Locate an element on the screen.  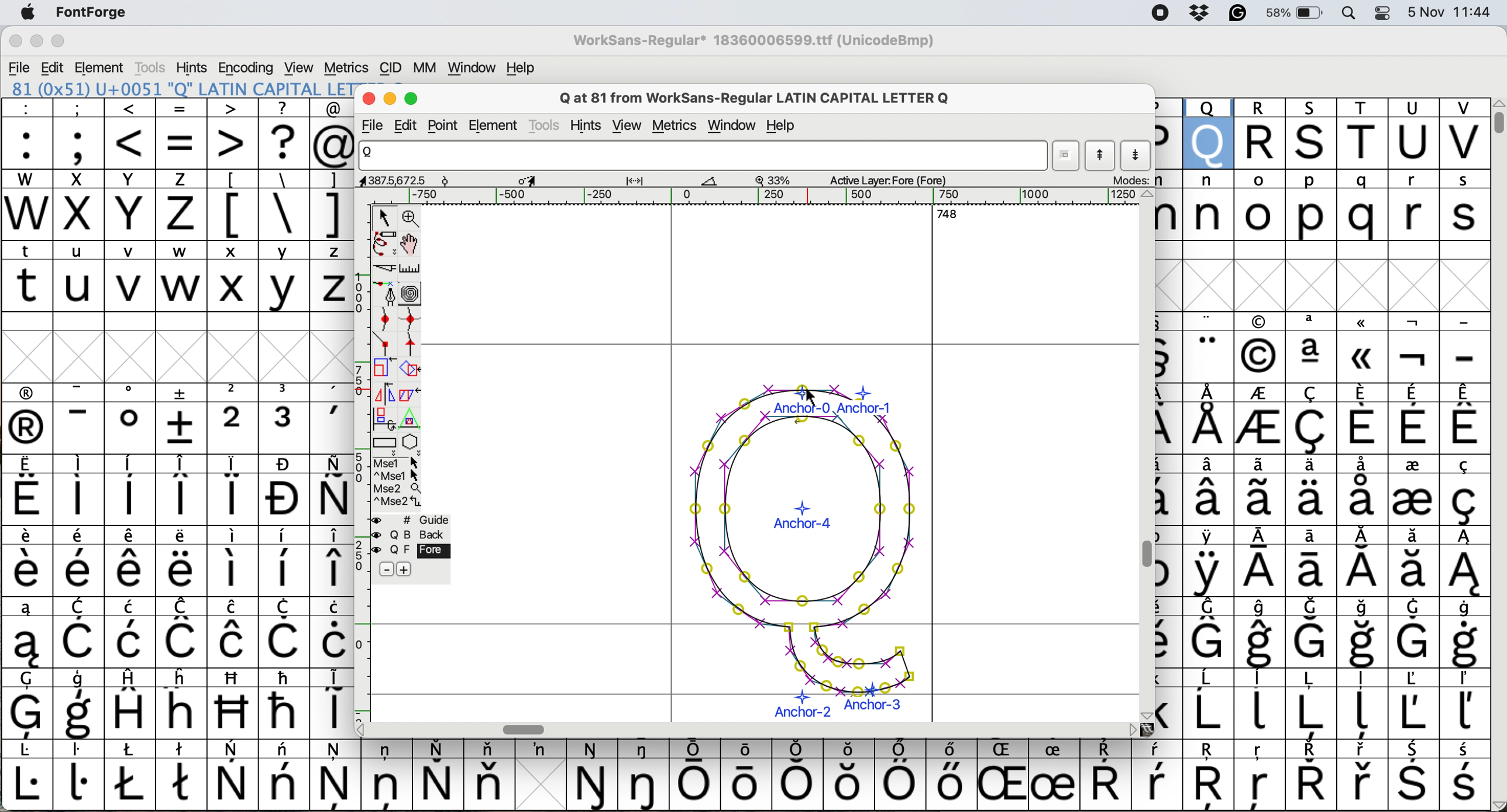
system logo is located at coordinates (24, 13).